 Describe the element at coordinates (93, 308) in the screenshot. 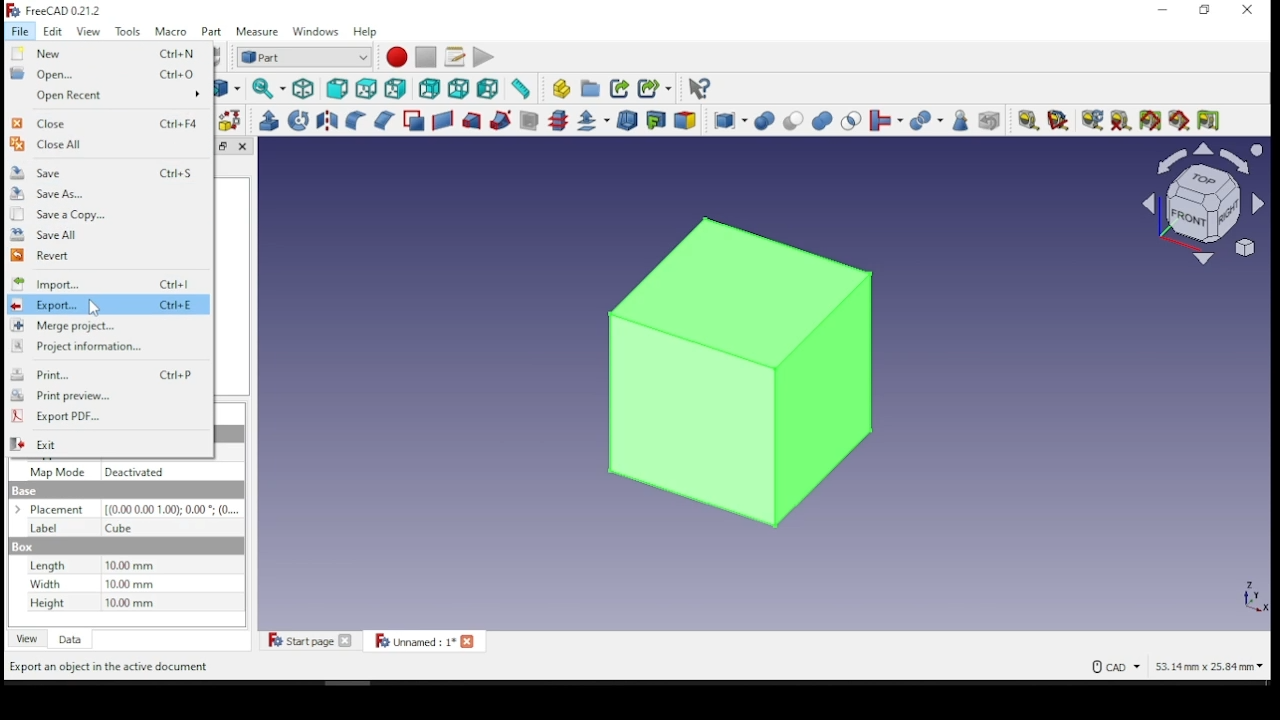

I see `cursor` at that location.